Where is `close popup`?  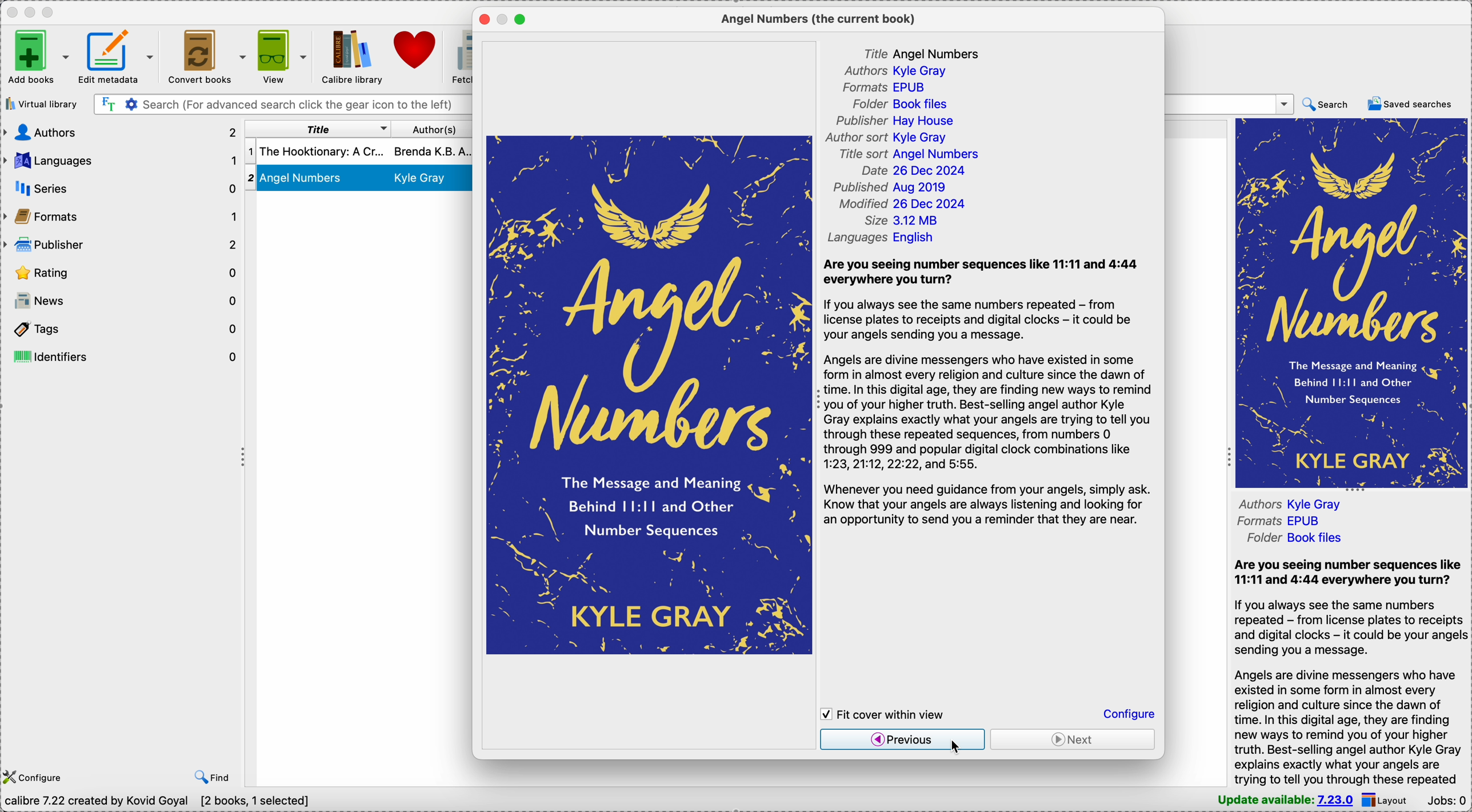 close popup is located at coordinates (483, 21).